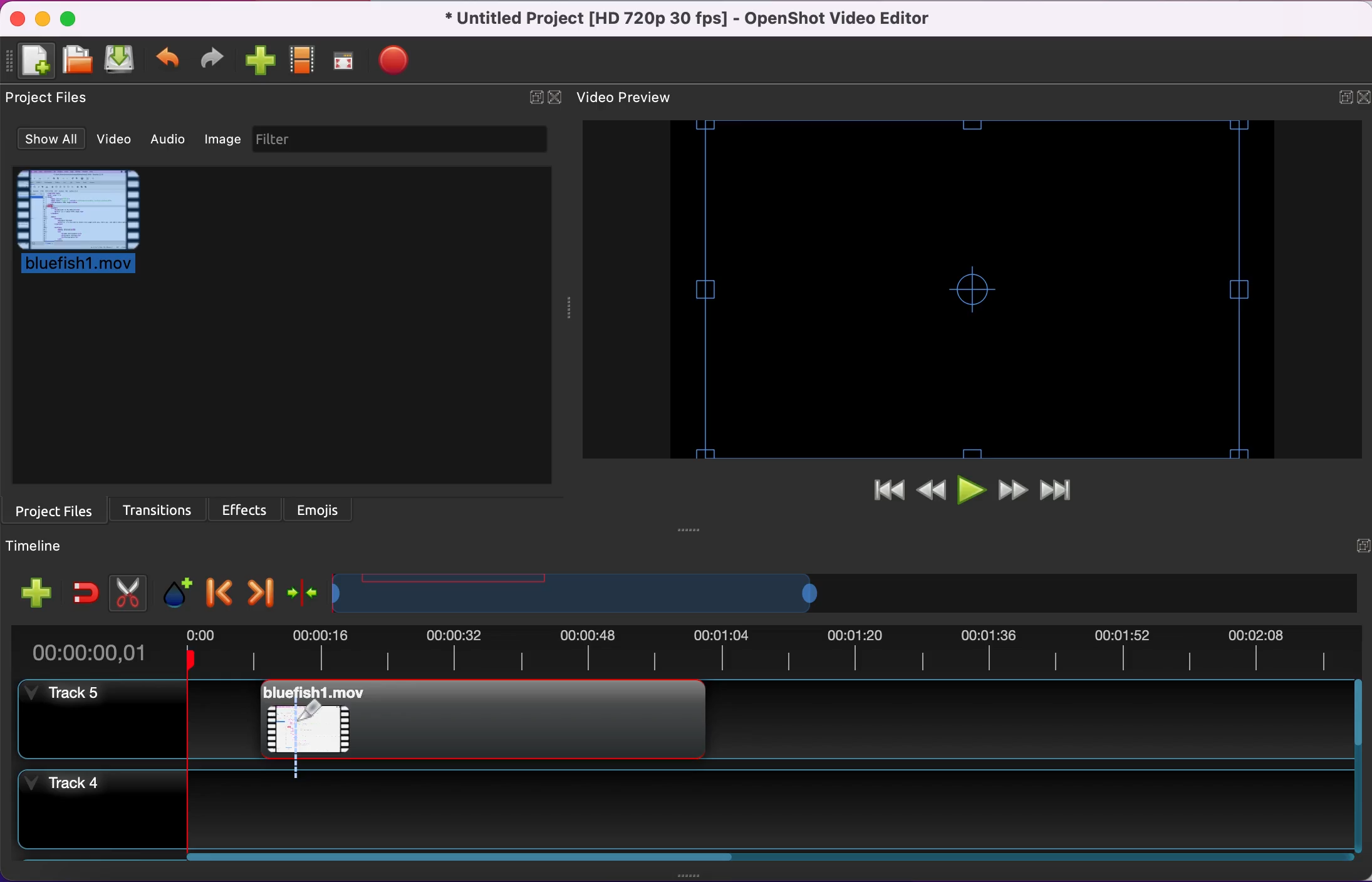 Image resolution: width=1372 pixels, height=882 pixels. I want to click on video, so click(112, 140).